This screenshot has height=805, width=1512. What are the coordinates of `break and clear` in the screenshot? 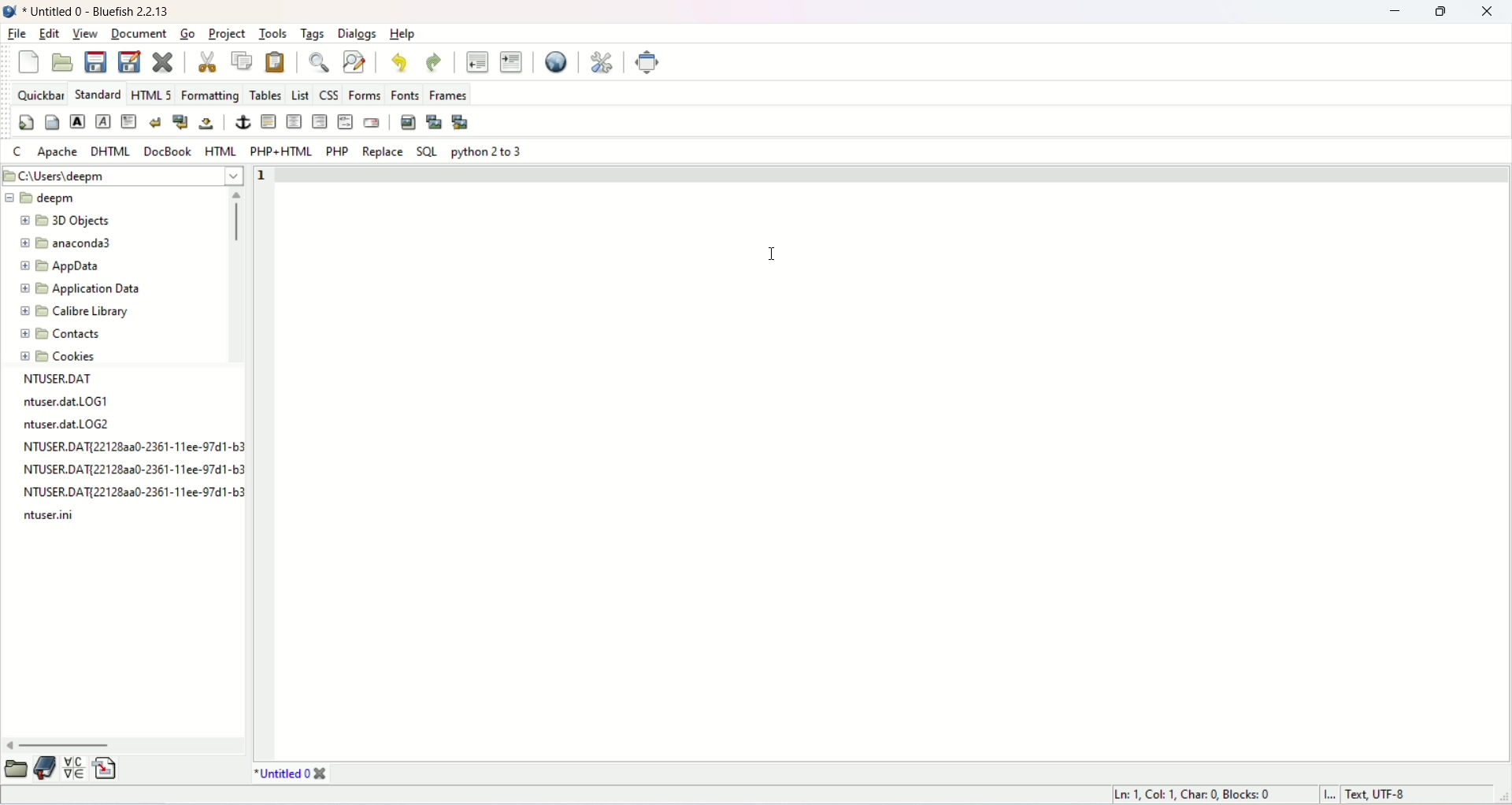 It's located at (180, 124).